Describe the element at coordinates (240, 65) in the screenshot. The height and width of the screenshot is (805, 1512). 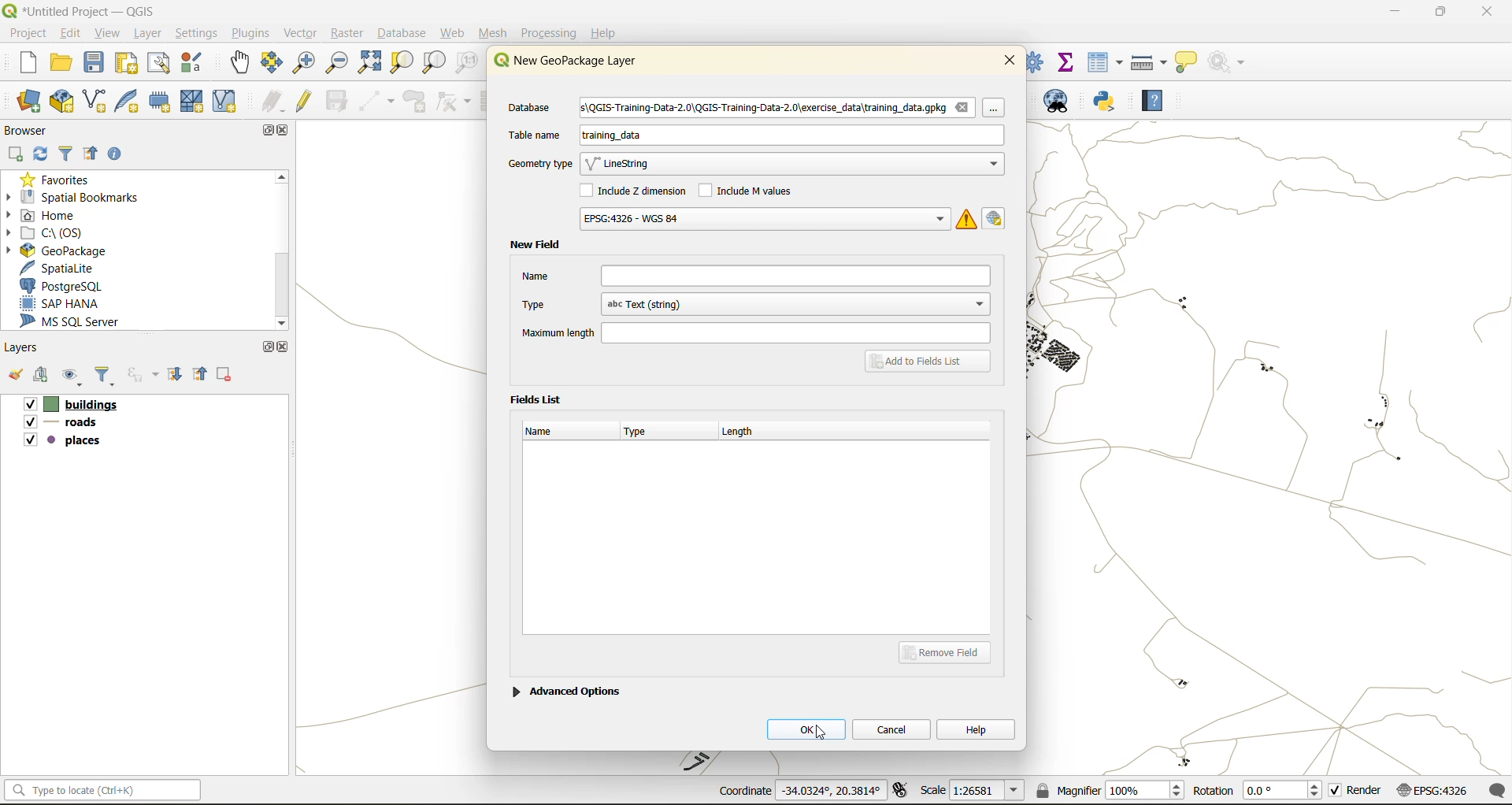
I see `pan map` at that location.